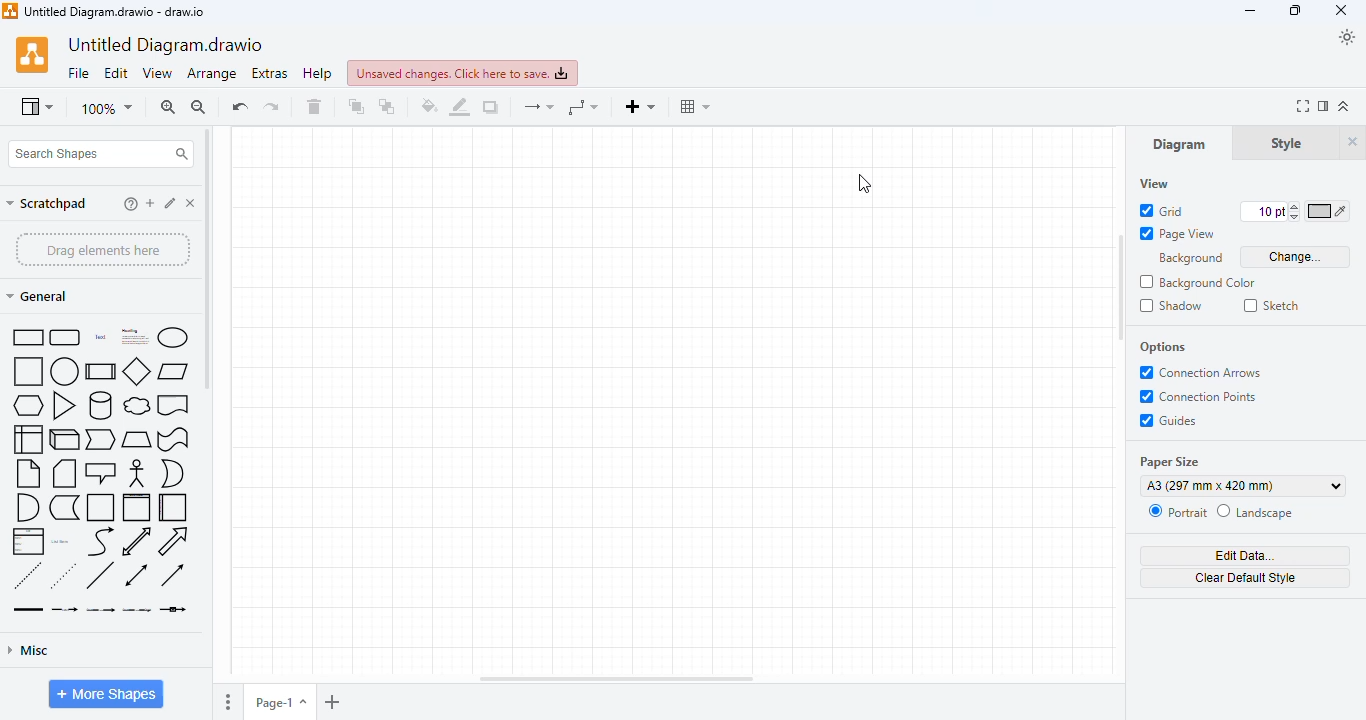 The height and width of the screenshot is (720, 1366). I want to click on vertical scroll bar, so click(1122, 315).